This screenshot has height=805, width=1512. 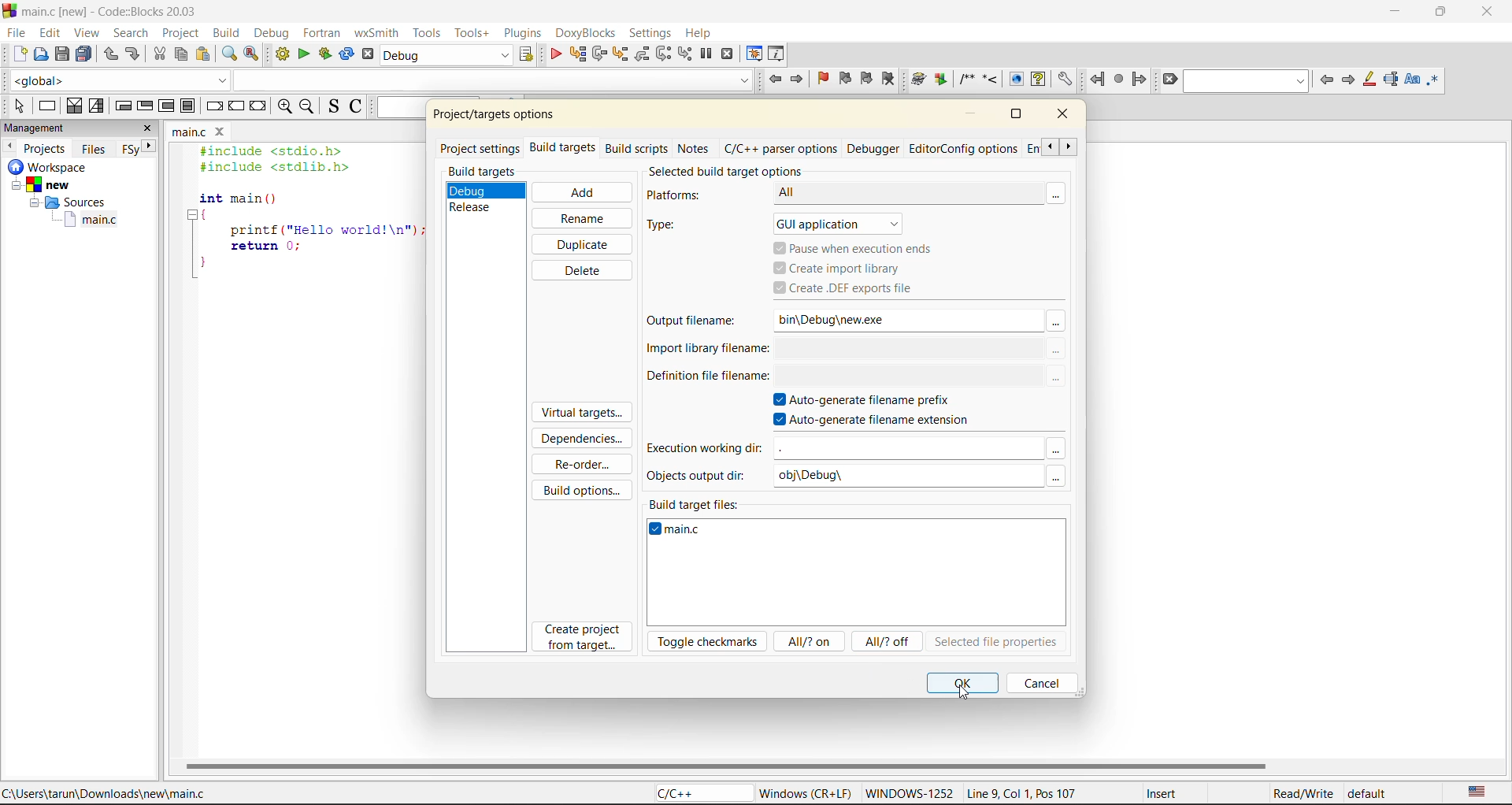 I want to click on build and run, so click(x=326, y=54).